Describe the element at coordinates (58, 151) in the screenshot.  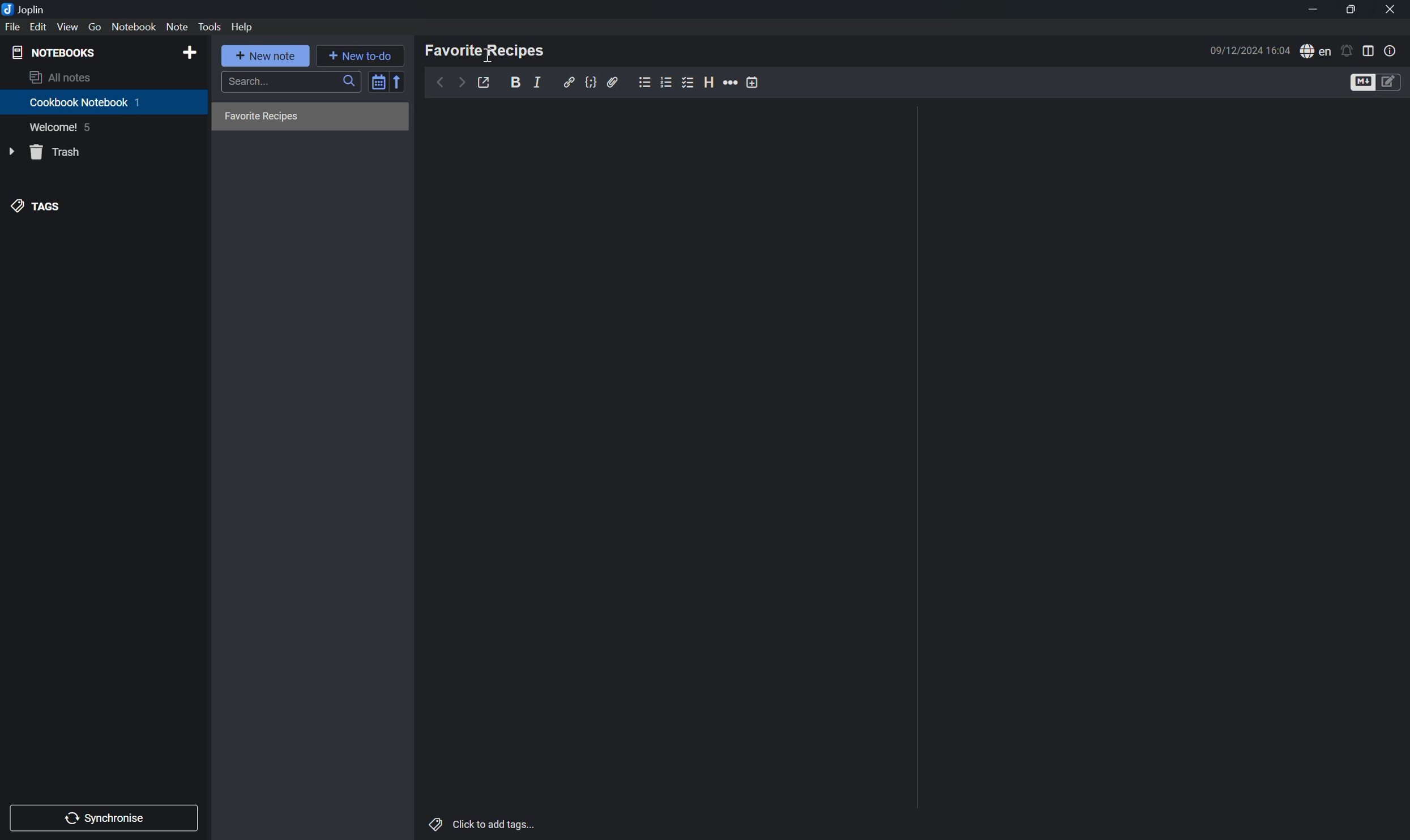
I see `Trash` at that location.